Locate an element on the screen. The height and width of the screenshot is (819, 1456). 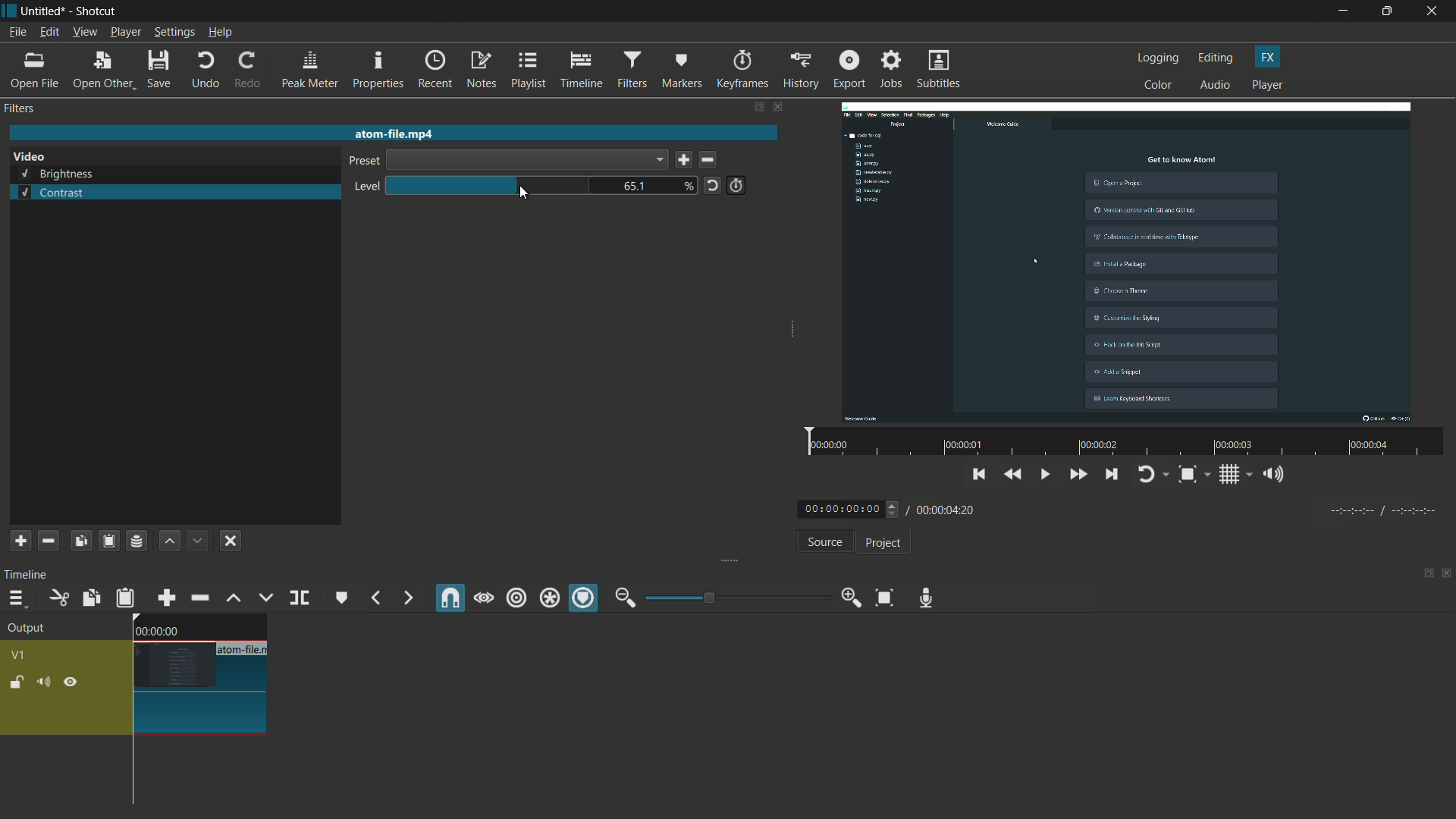
00:00:00:00 (current time) is located at coordinates (850, 508).